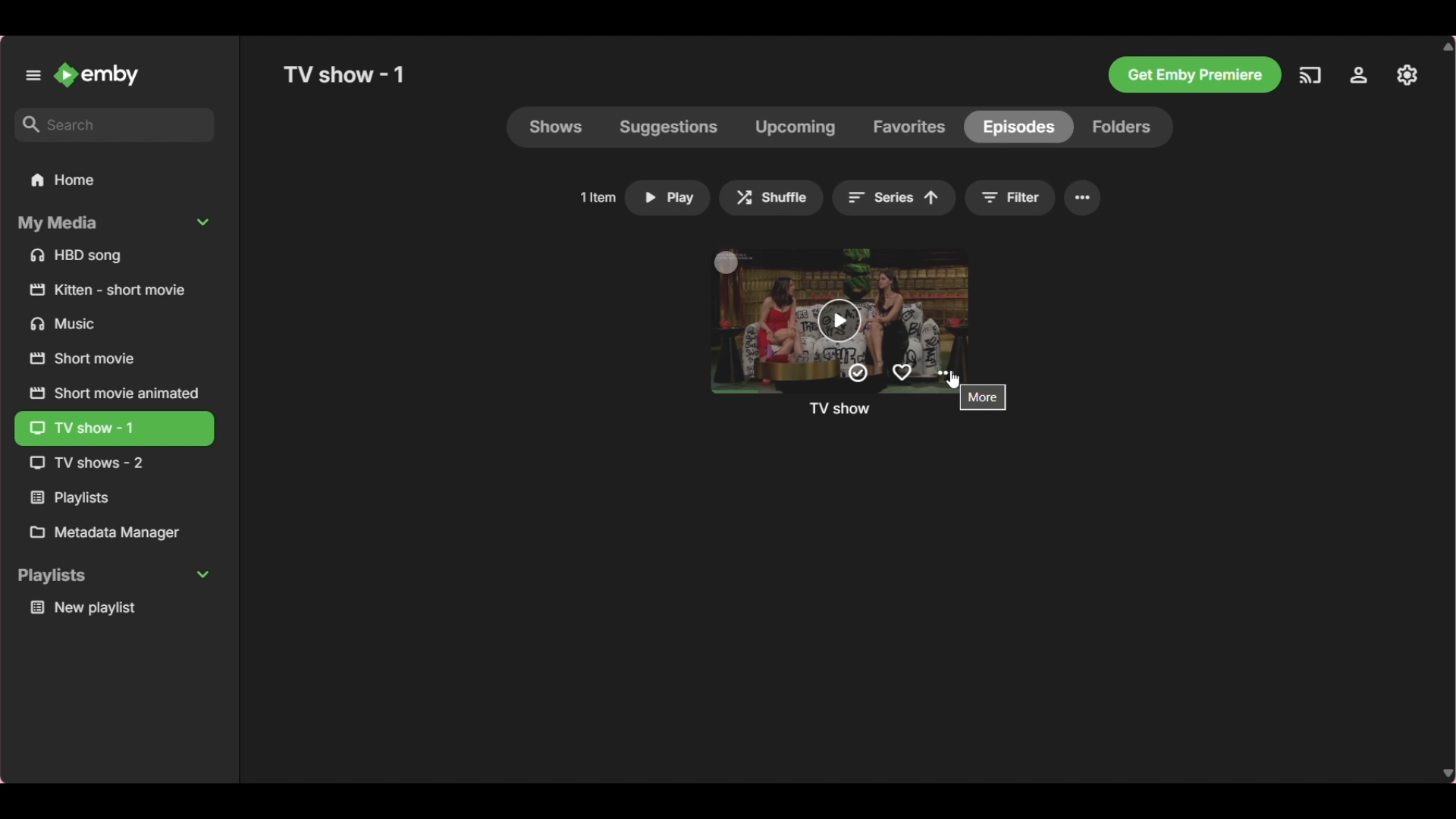 Image resolution: width=1456 pixels, height=819 pixels. I want to click on TV show, so click(111, 463).